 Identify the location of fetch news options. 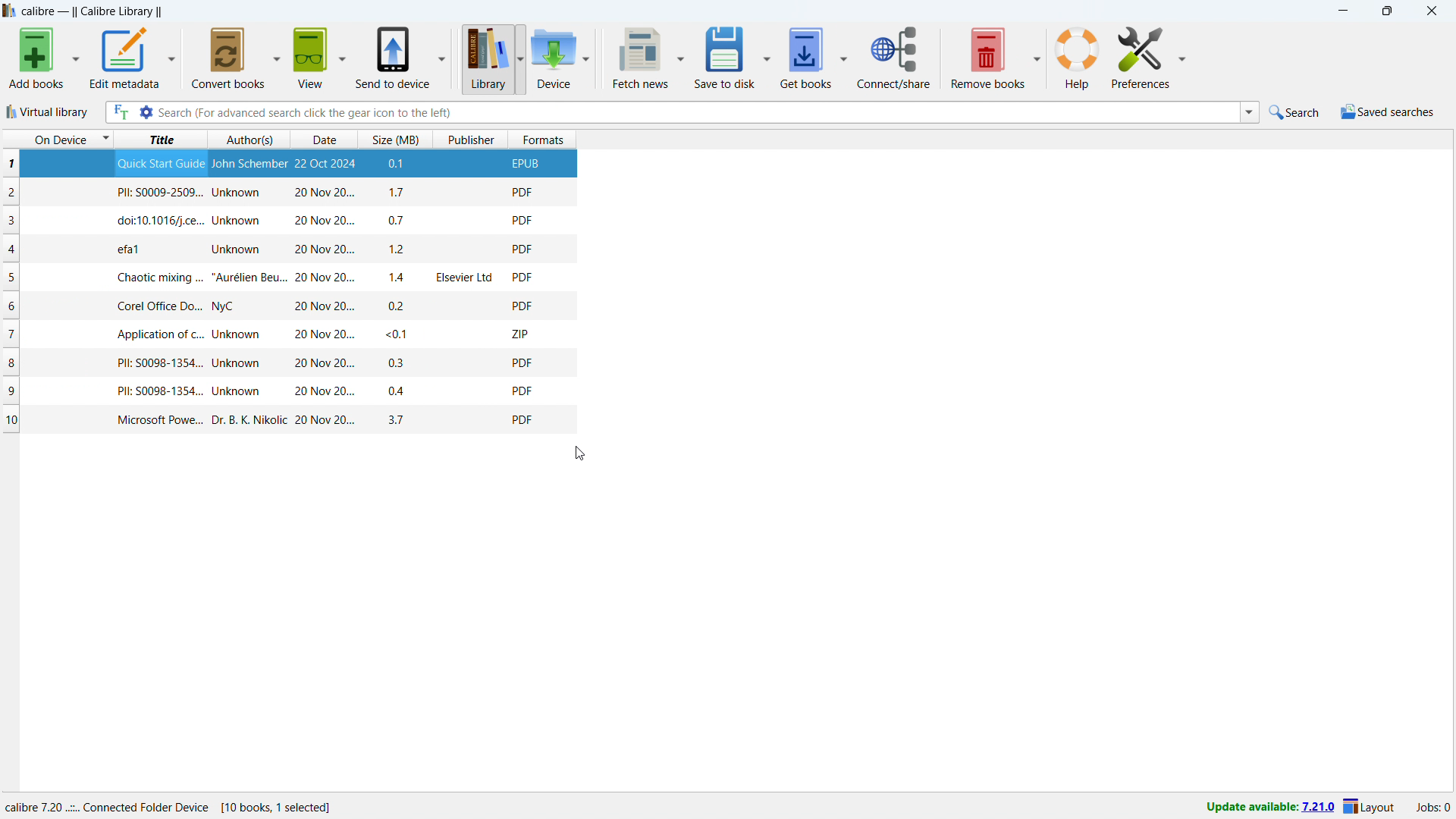
(683, 56).